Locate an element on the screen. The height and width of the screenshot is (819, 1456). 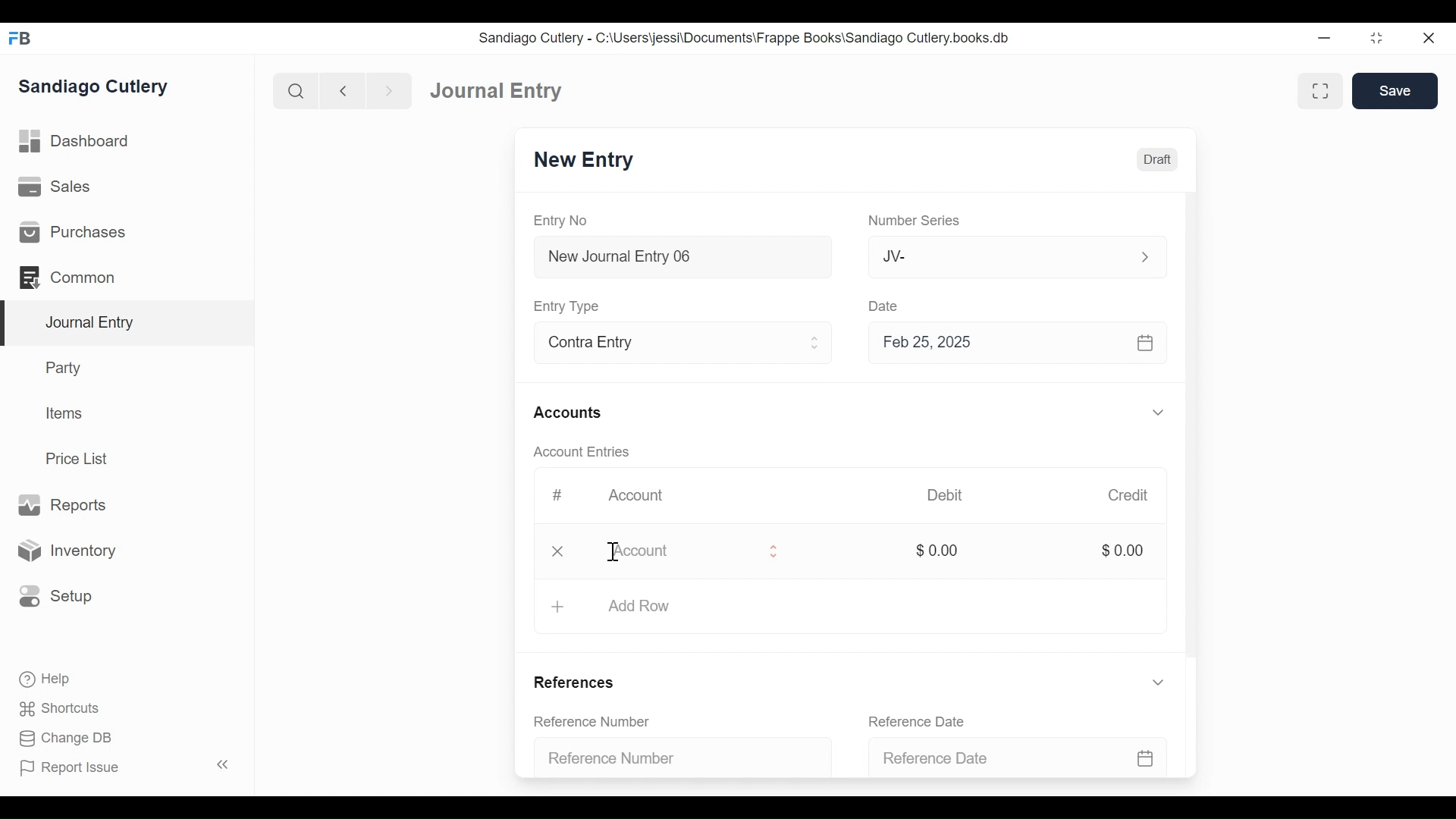
Change DB is located at coordinates (68, 740).